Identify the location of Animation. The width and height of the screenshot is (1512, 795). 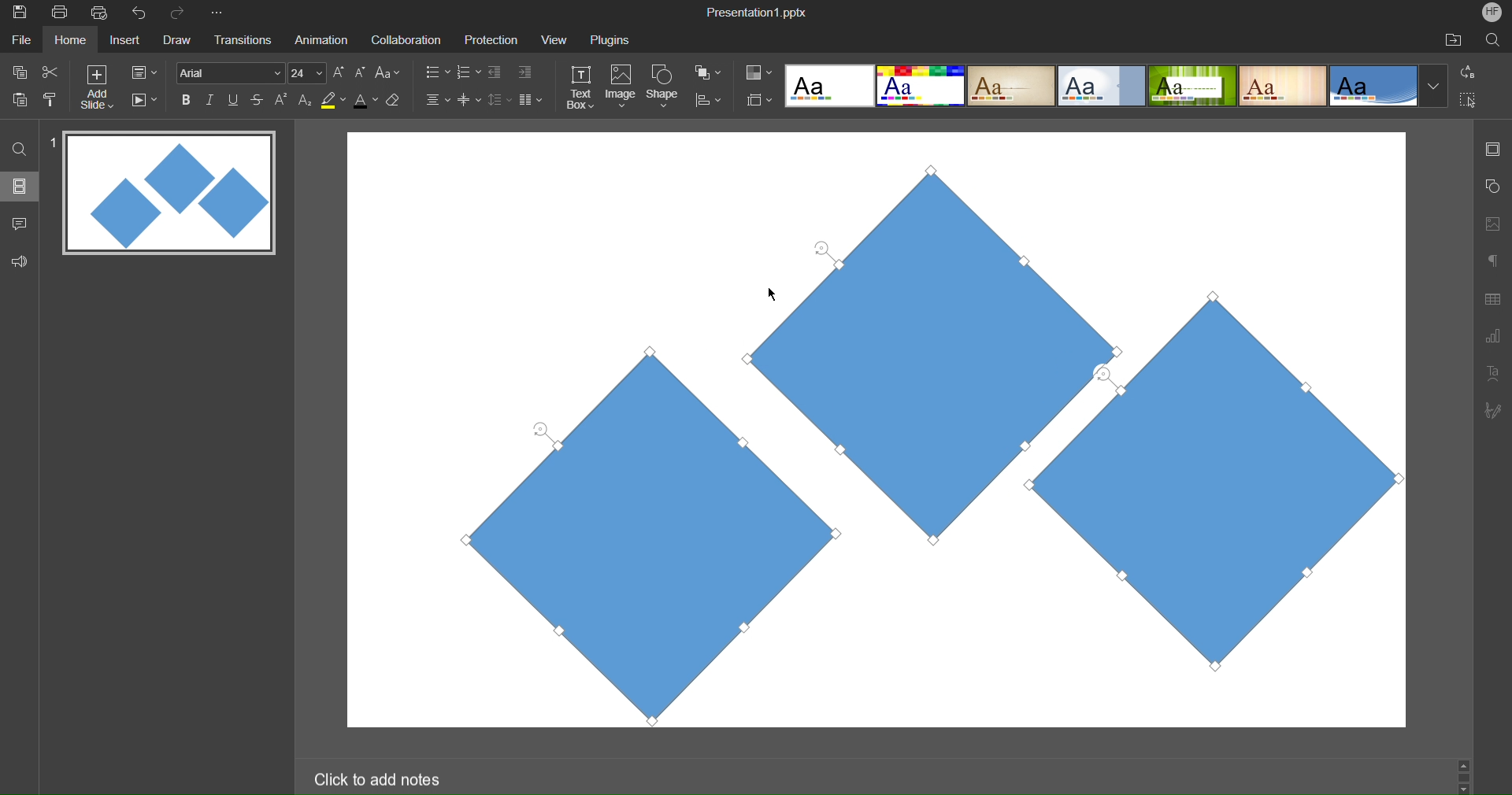
(320, 39).